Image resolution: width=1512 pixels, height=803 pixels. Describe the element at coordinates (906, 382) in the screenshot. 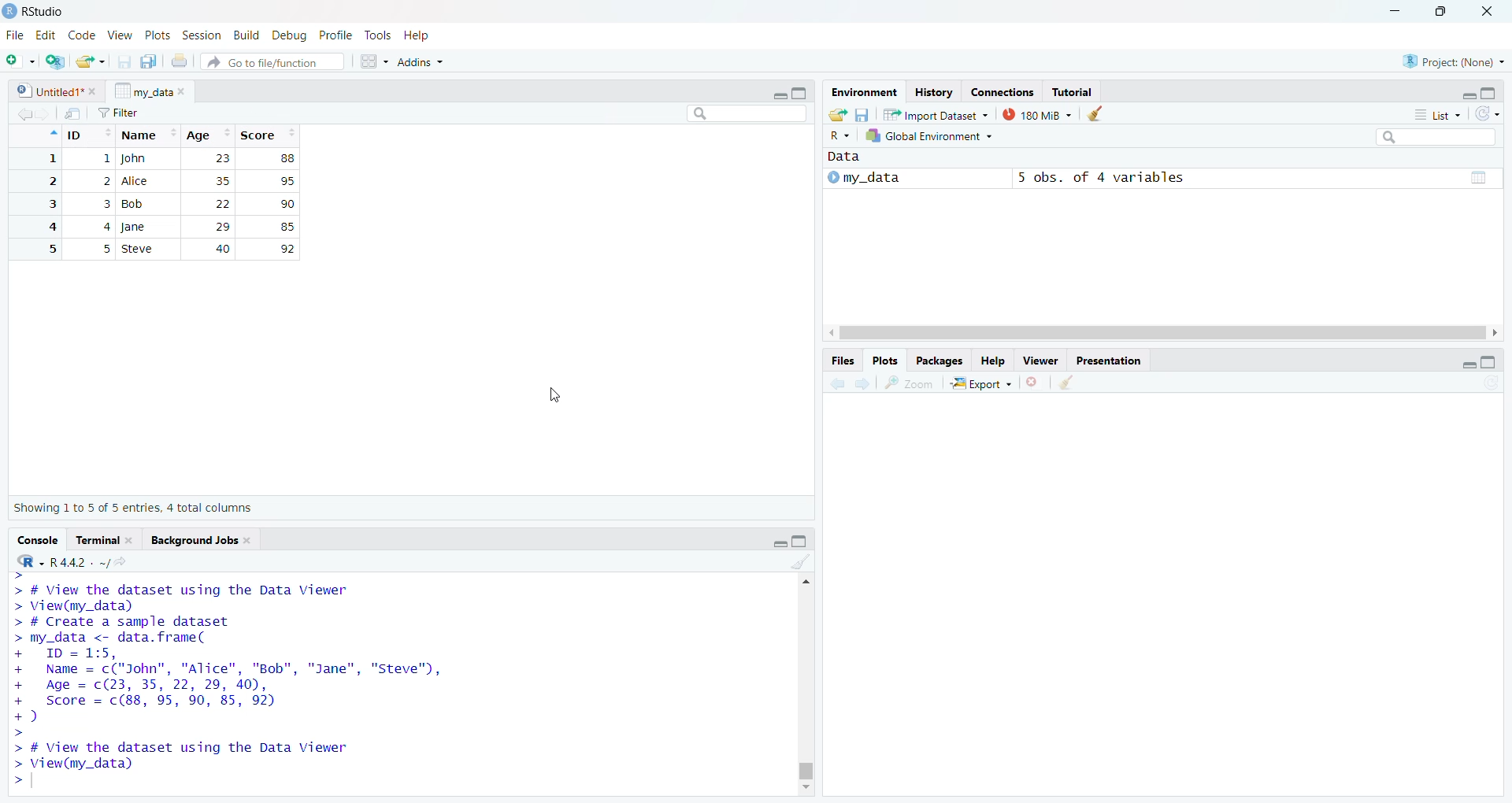

I see `Zoom` at that location.